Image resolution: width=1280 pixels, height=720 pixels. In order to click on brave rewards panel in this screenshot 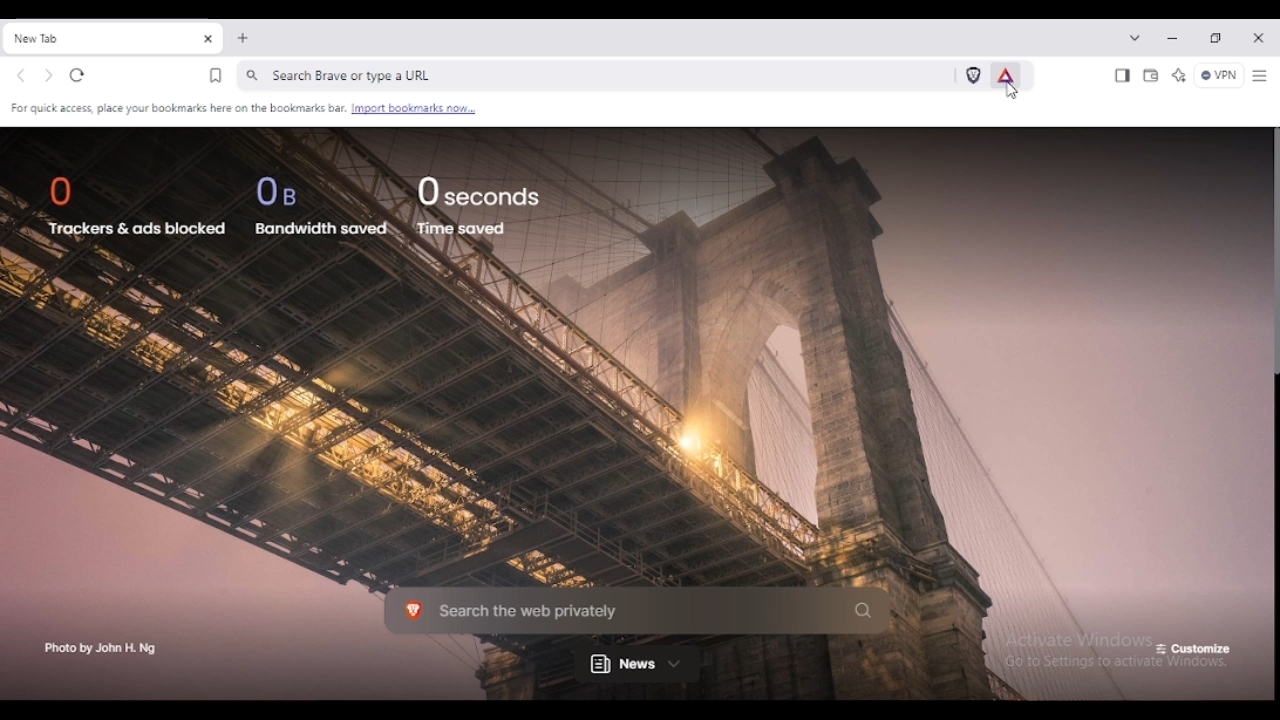, I will do `click(1006, 75)`.